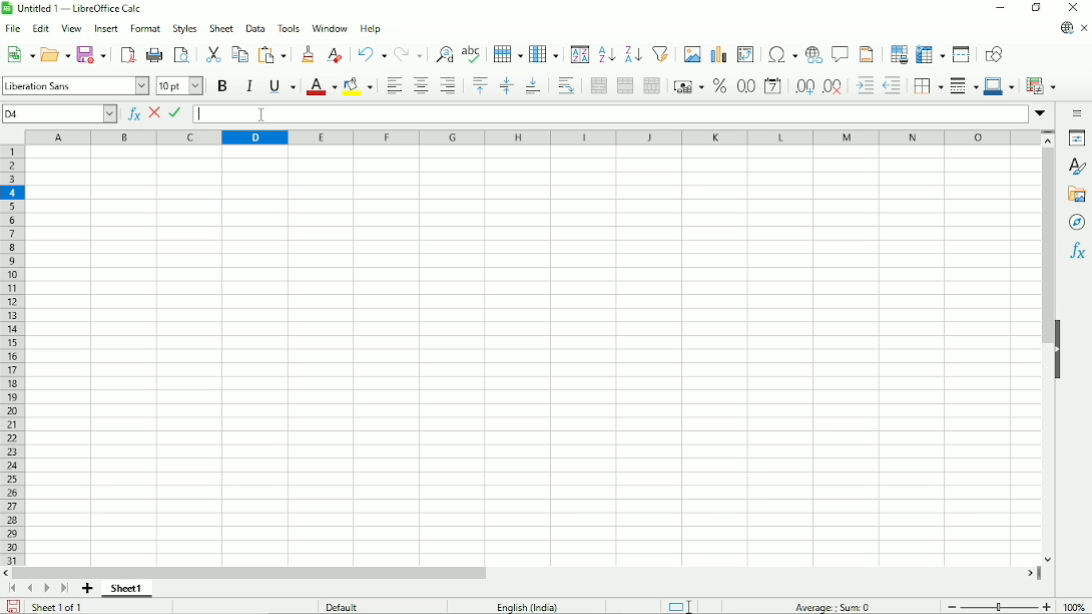 The height and width of the screenshot is (614, 1092). I want to click on Align center, so click(421, 85).